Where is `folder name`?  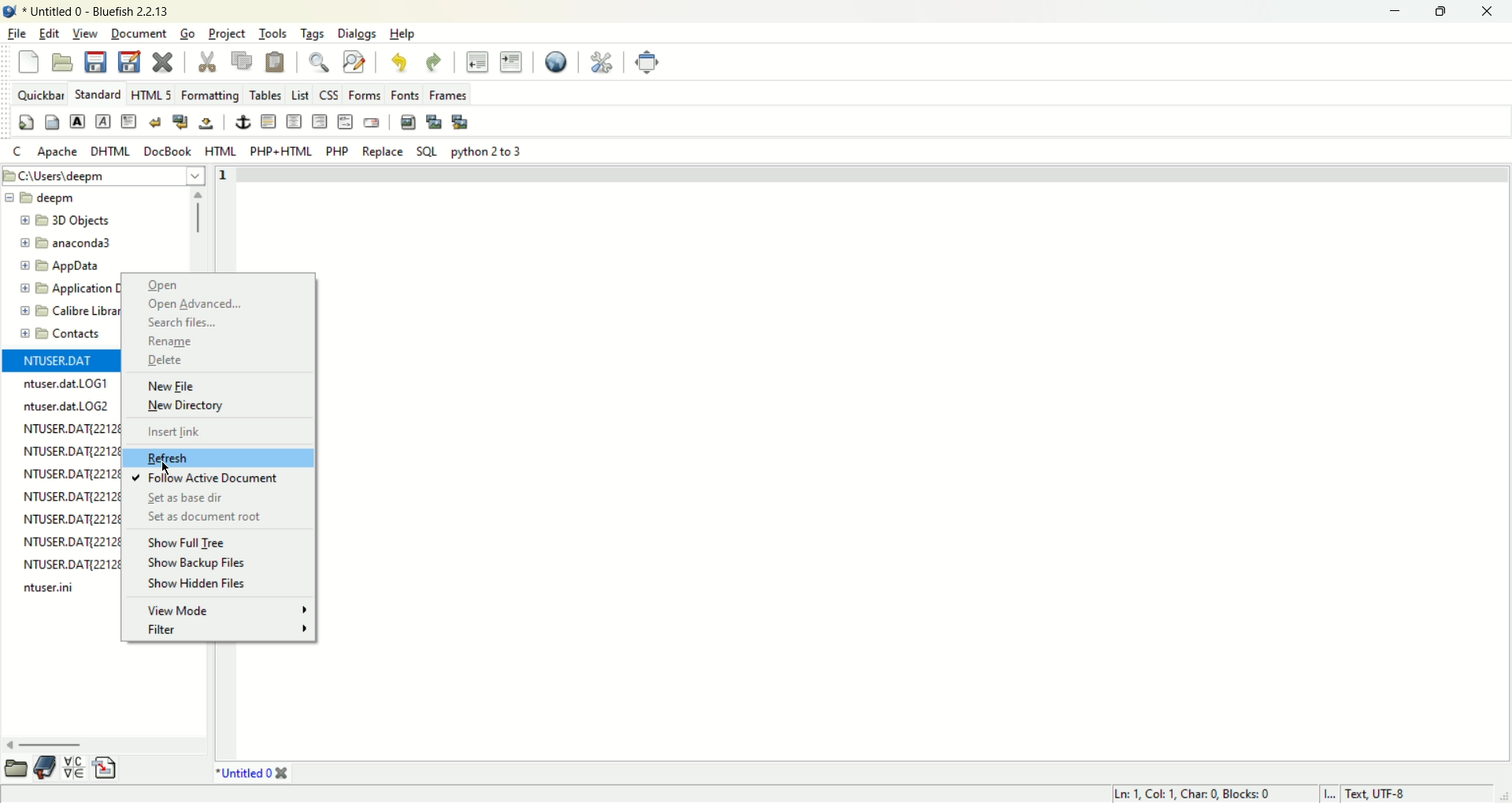 folder name is located at coordinates (65, 309).